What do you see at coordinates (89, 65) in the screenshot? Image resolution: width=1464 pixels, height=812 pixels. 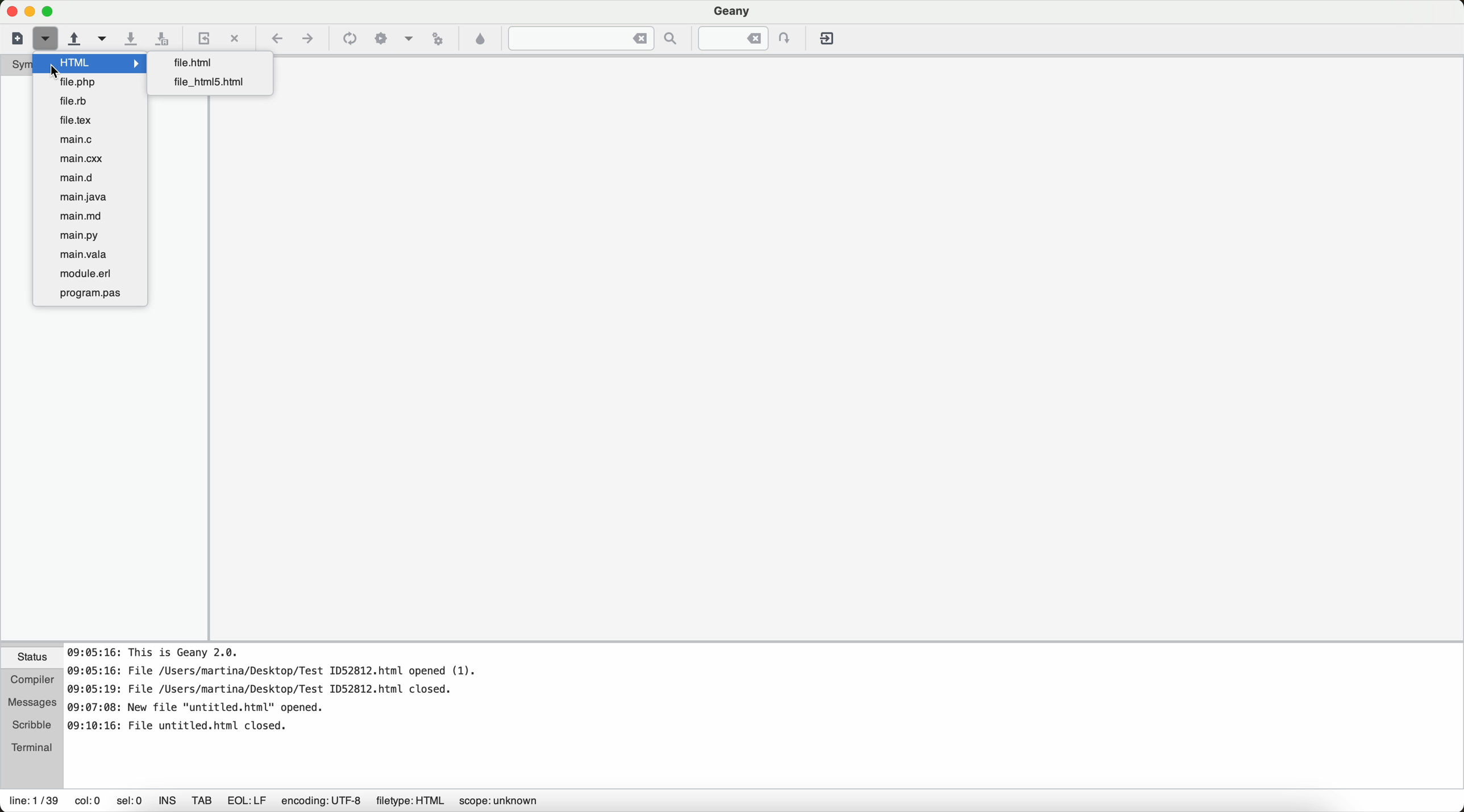 I see `cursor on HTML` at bounding box center [89, 65].